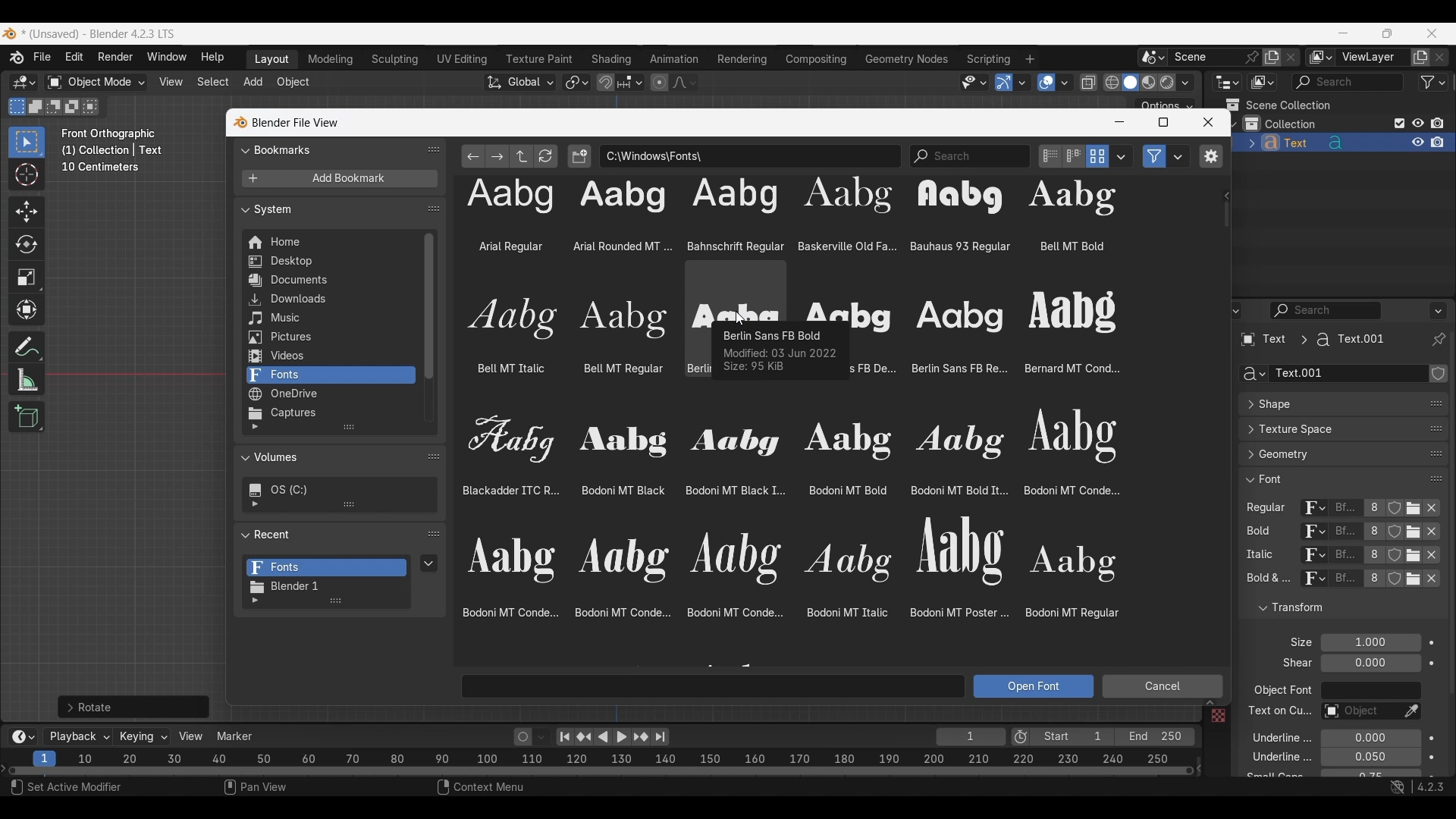 Image resolution: width=1456 pixels, height=819 pixels. What do you see at coordinates (1394, 511) in the screenshot?
I see `Fake user for respe` at bounding box center [1394, 511].